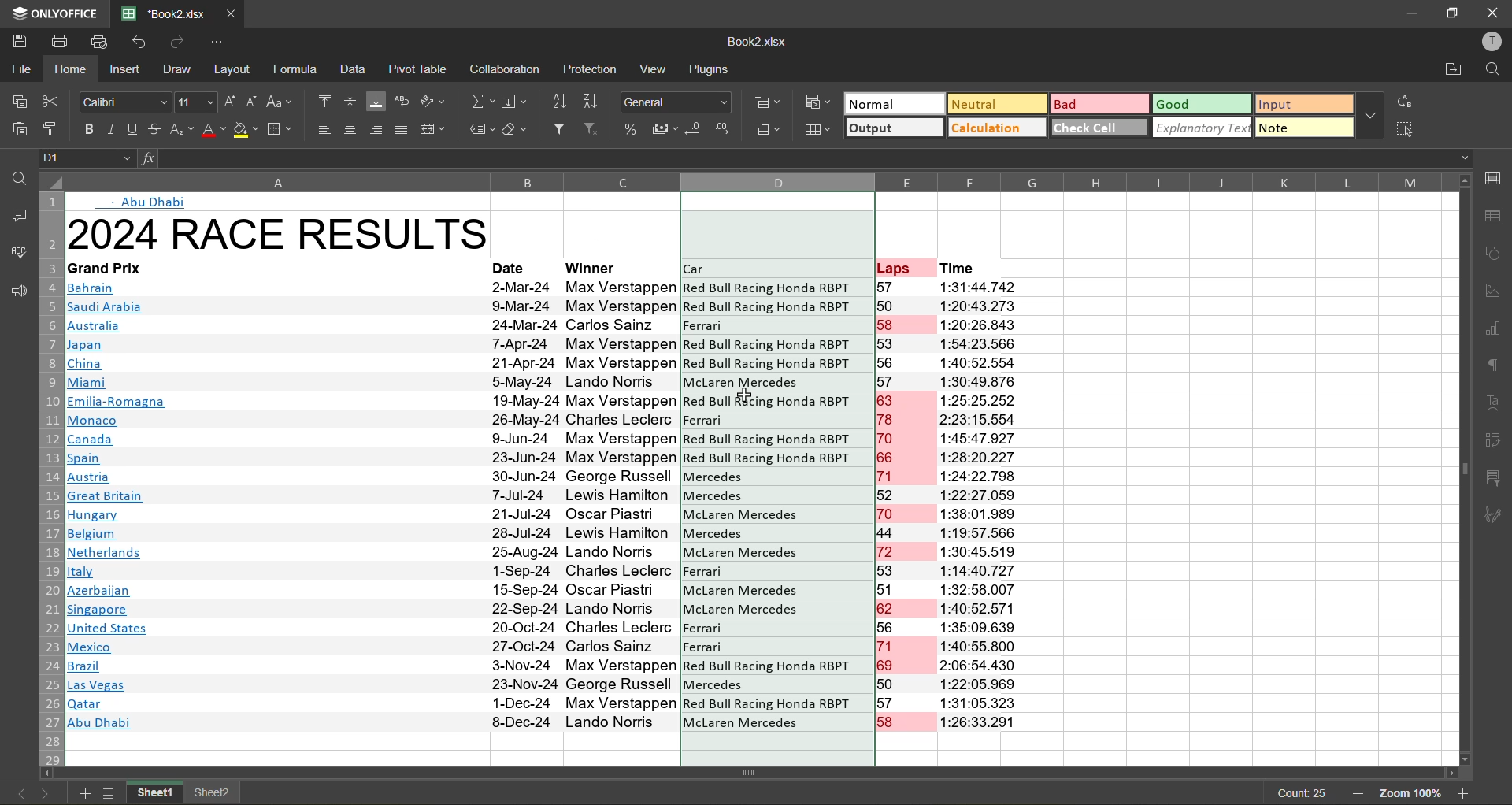  I want to click on file, so click(20, 69).